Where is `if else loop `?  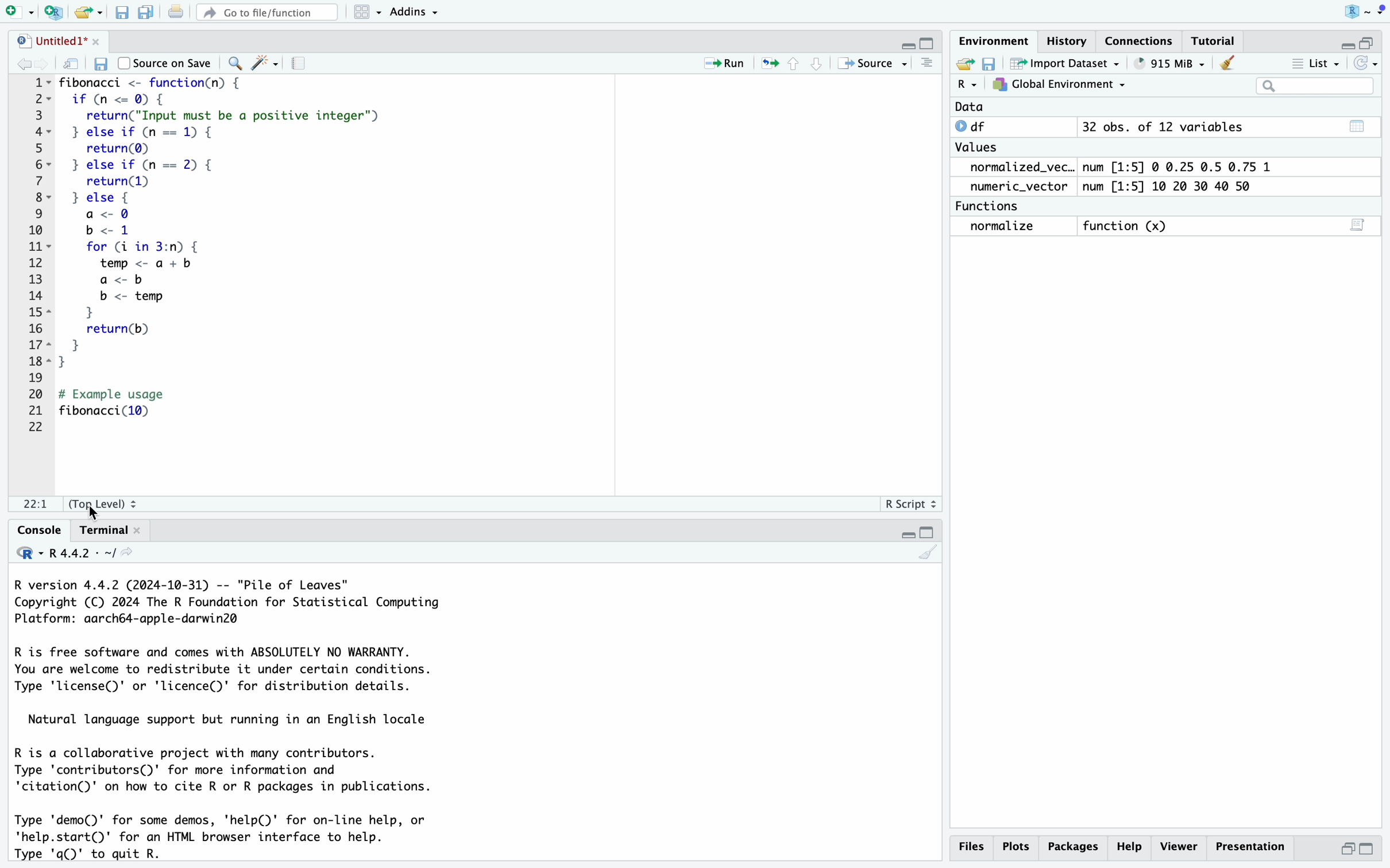
if else loop  is located at coordinates (237, 165).